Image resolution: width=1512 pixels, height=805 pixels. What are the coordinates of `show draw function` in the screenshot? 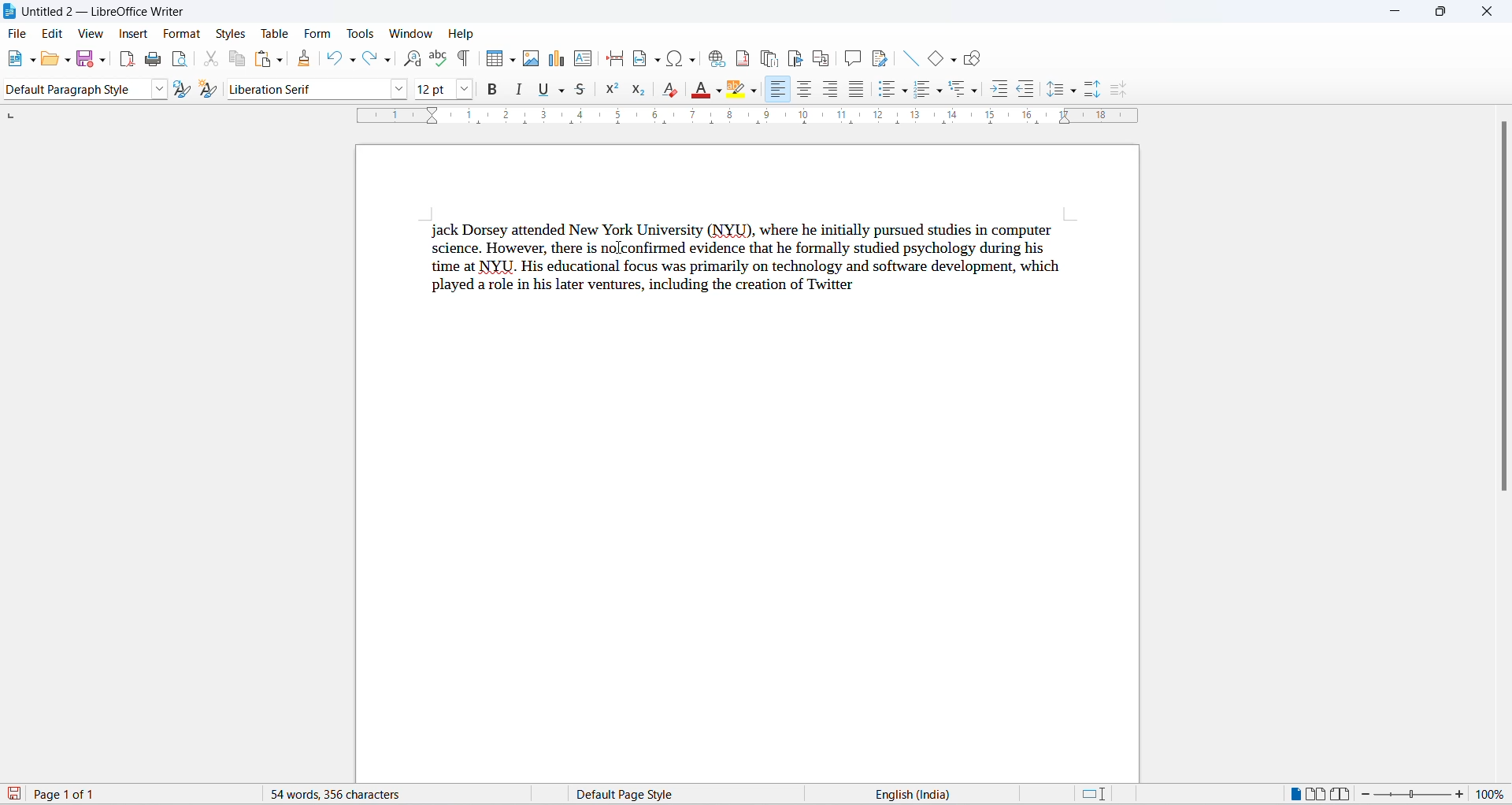 It's located at (973, 61).